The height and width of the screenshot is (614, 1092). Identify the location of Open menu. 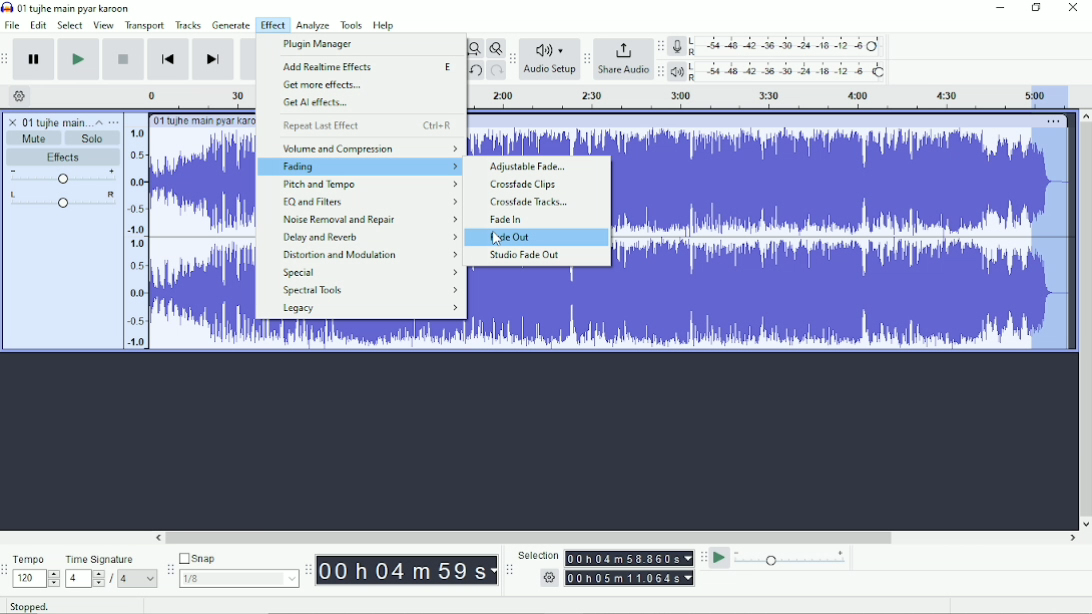
(115, 122).